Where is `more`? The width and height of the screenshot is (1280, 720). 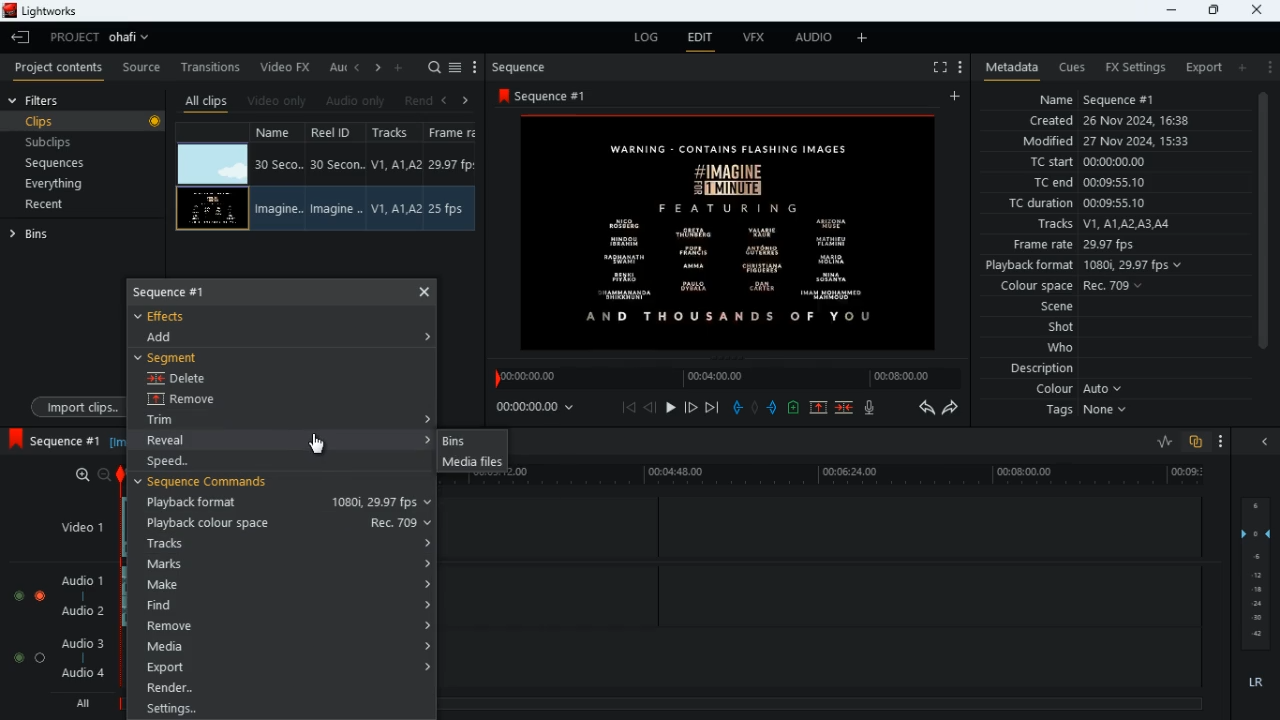
more is located at coordinates (475, 67).